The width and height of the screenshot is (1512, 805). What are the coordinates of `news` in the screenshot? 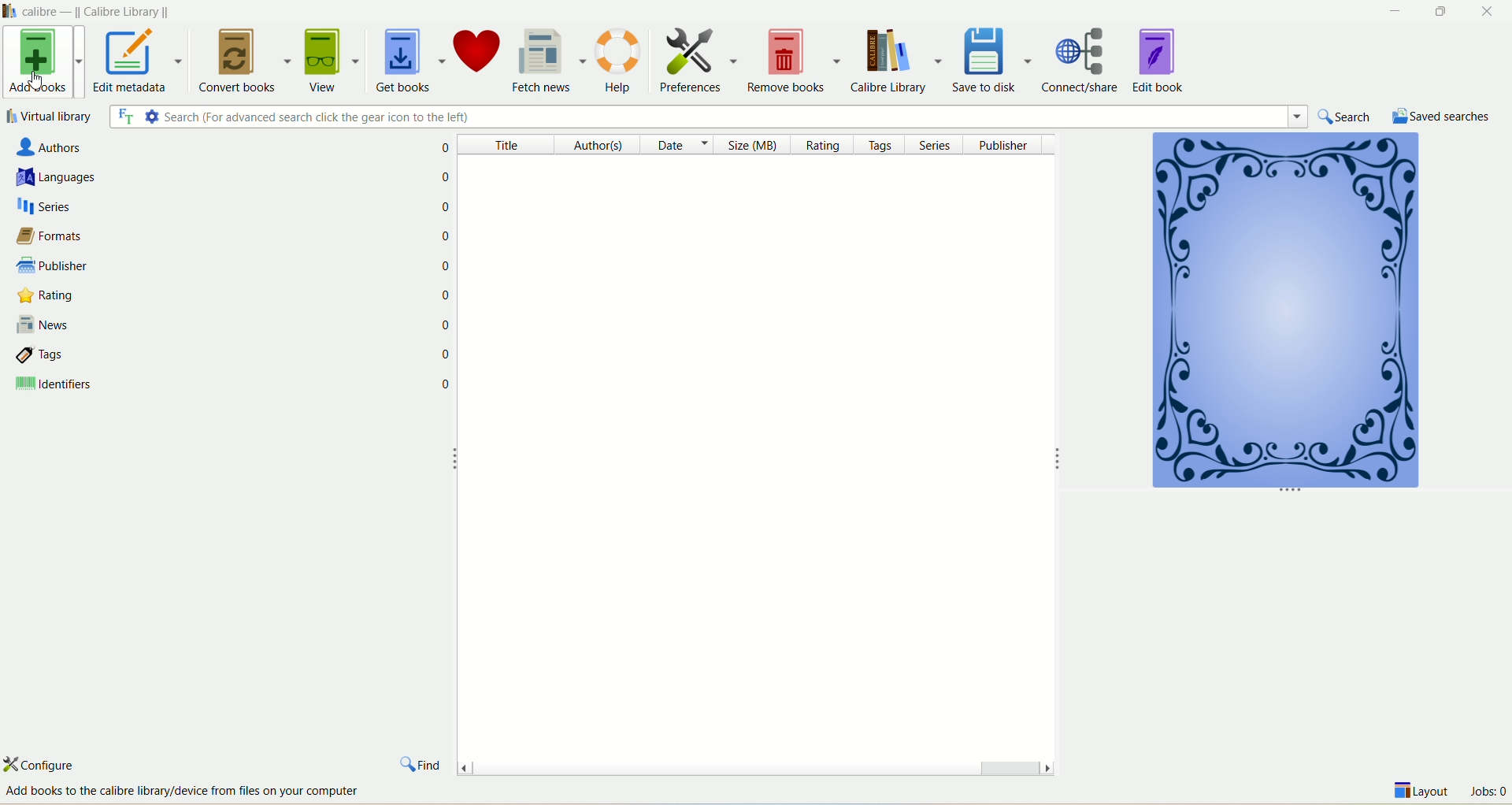 It's located at (210, 324).